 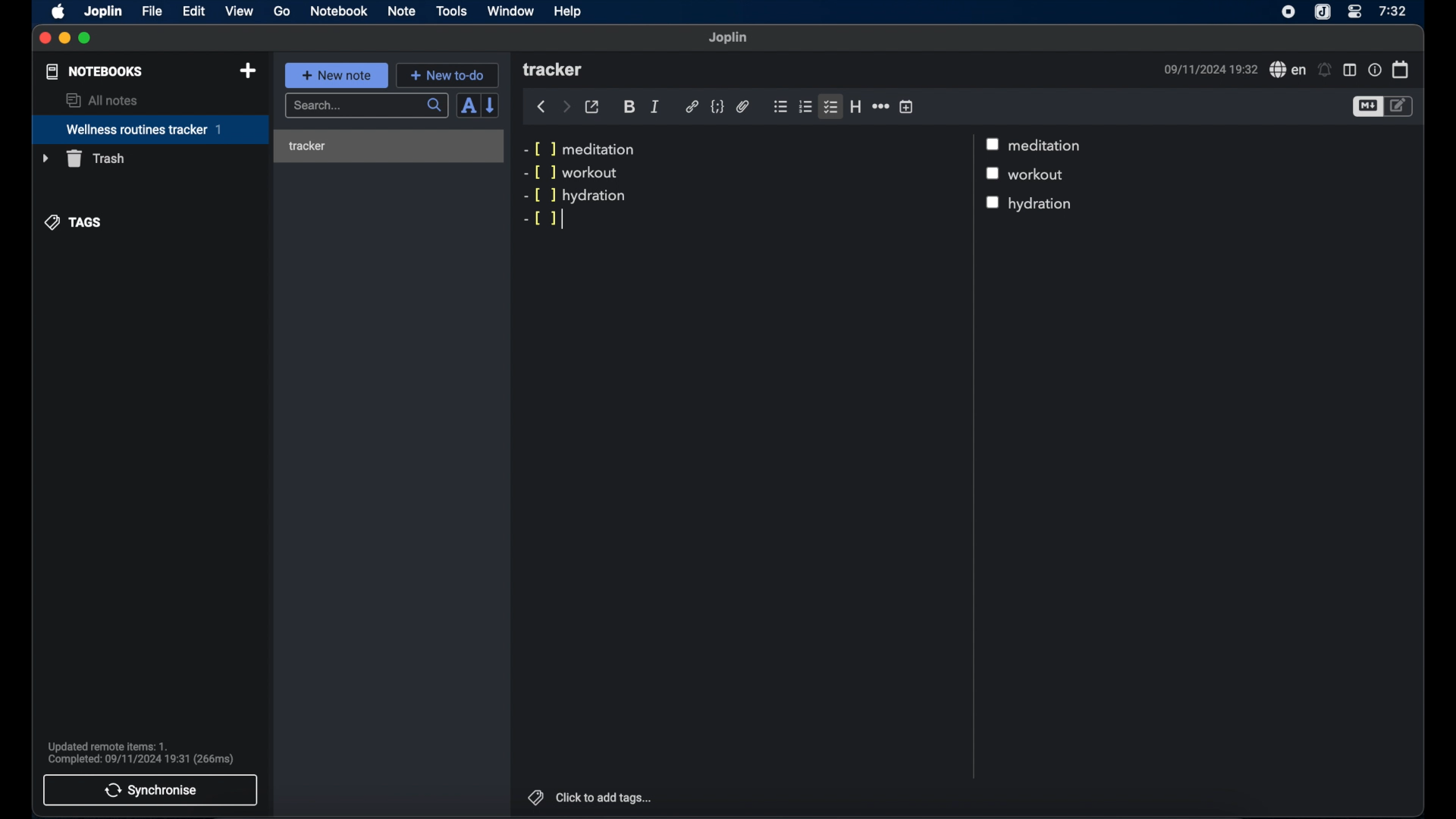 I want to click on insert time, so click(x=906, y=106).